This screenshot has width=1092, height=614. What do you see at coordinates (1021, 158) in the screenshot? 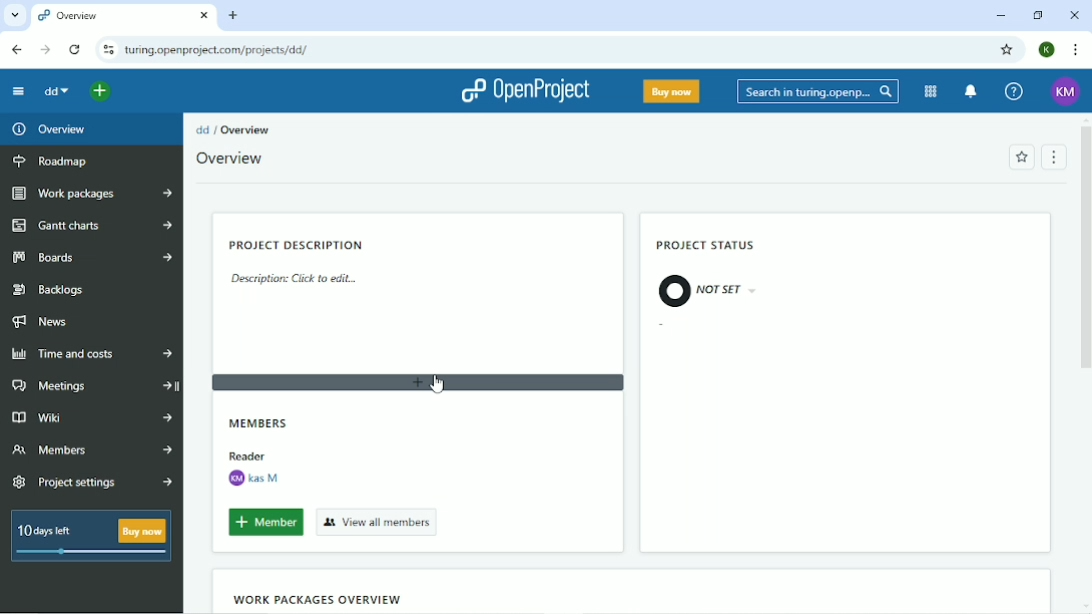
I see `Add to favorites` at bounding box center [1021, 158].